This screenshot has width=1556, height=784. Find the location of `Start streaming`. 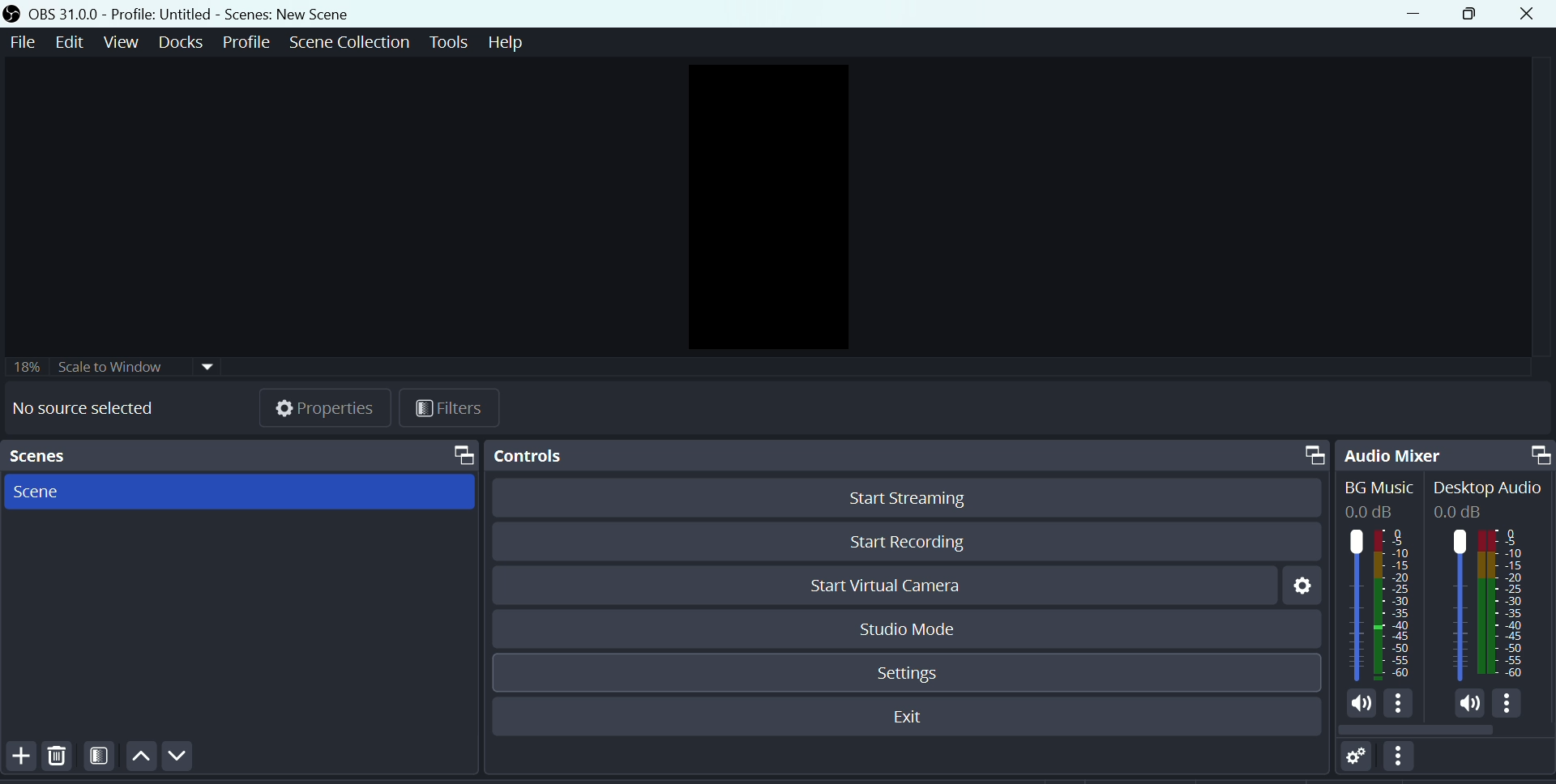

Start streaming is located at coordinates (908, 499).